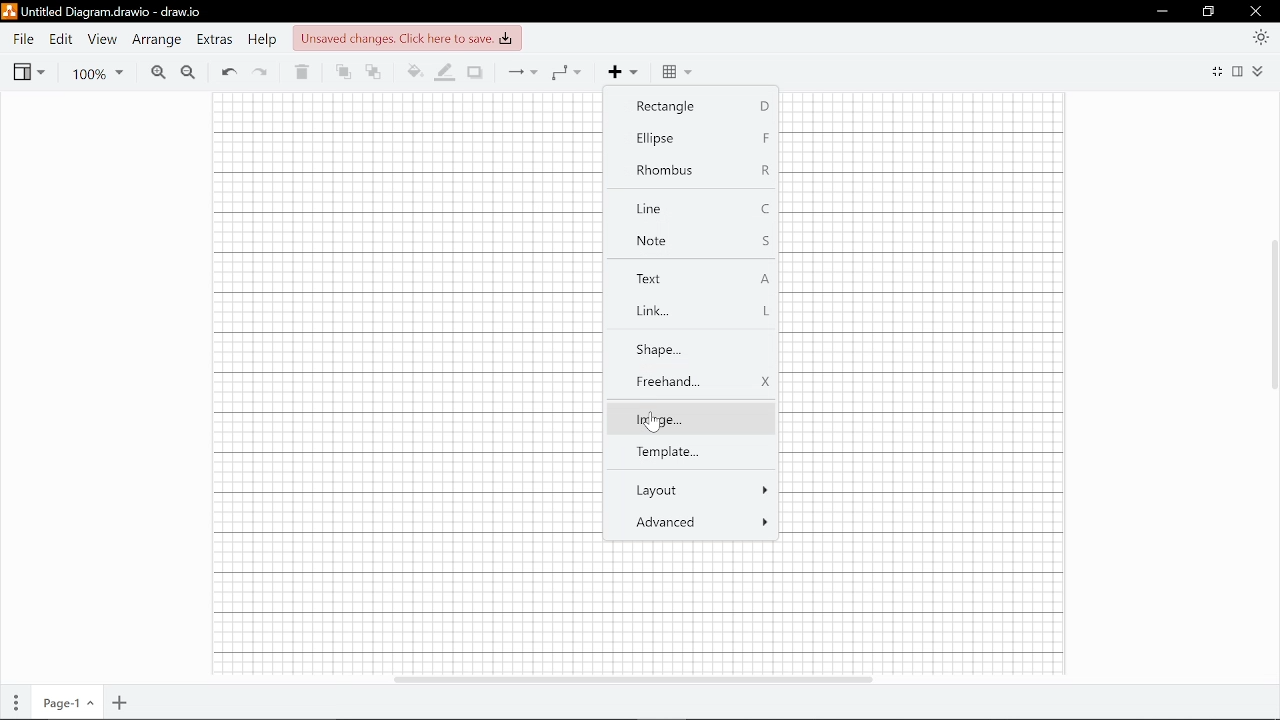 The height and width of the screenshot is (720, 1280). I want to click on Layout, so click(692, 489).